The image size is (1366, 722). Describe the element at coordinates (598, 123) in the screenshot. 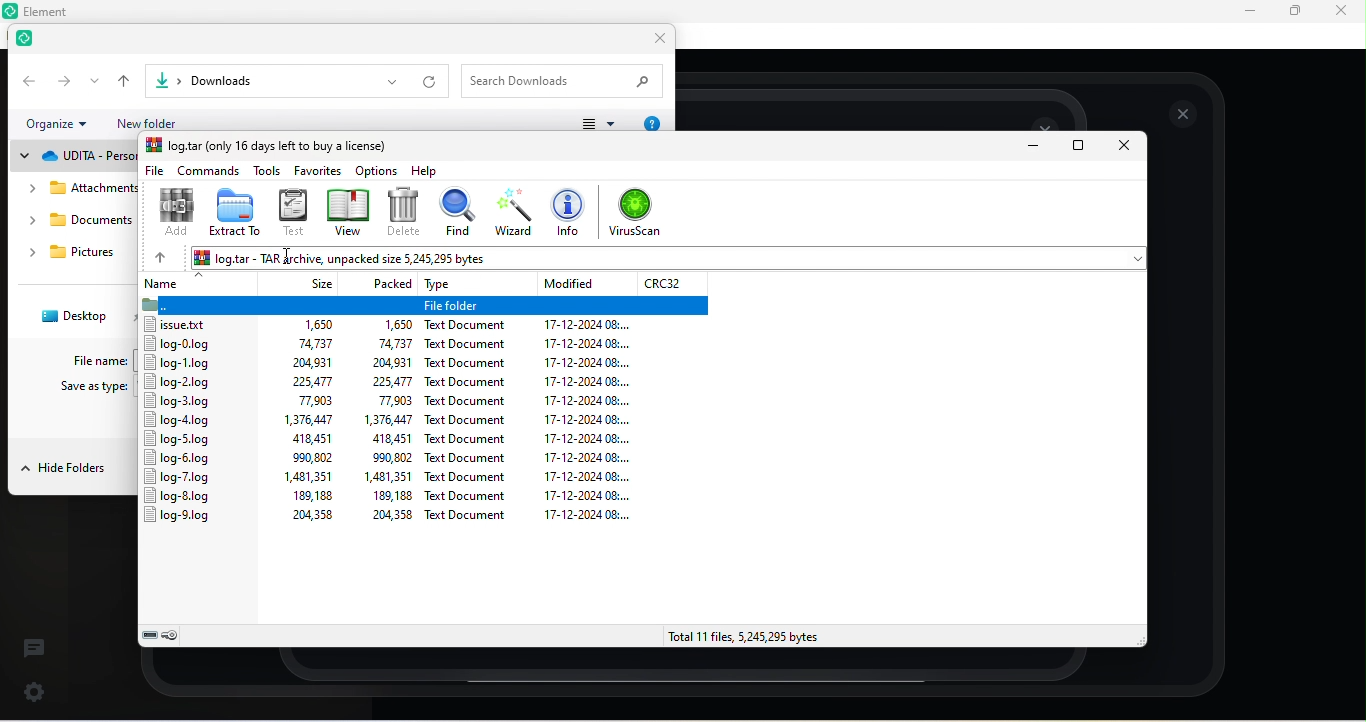

I see `change view` at that location.